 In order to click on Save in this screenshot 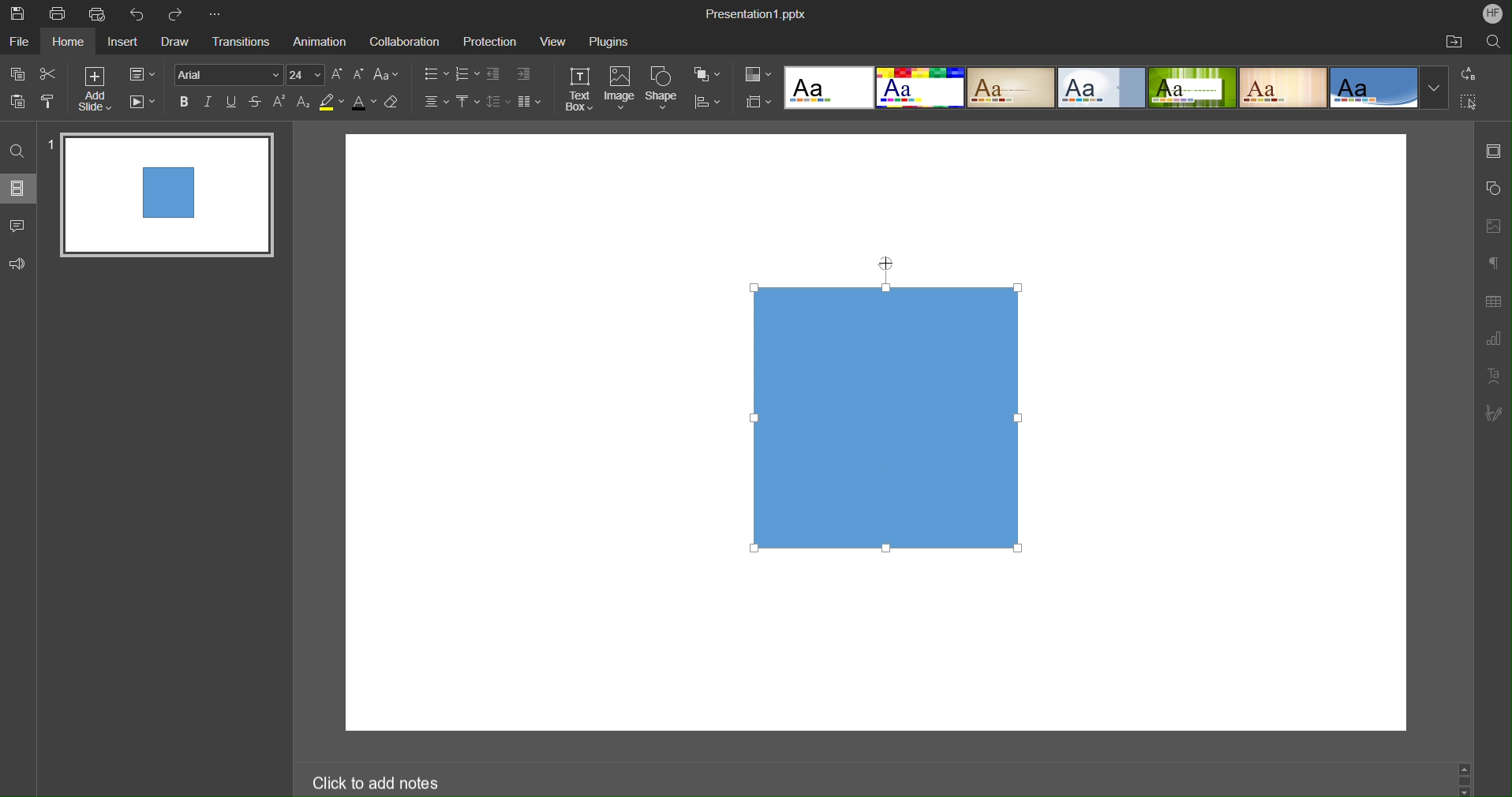, I will do `click(25, 15)`.